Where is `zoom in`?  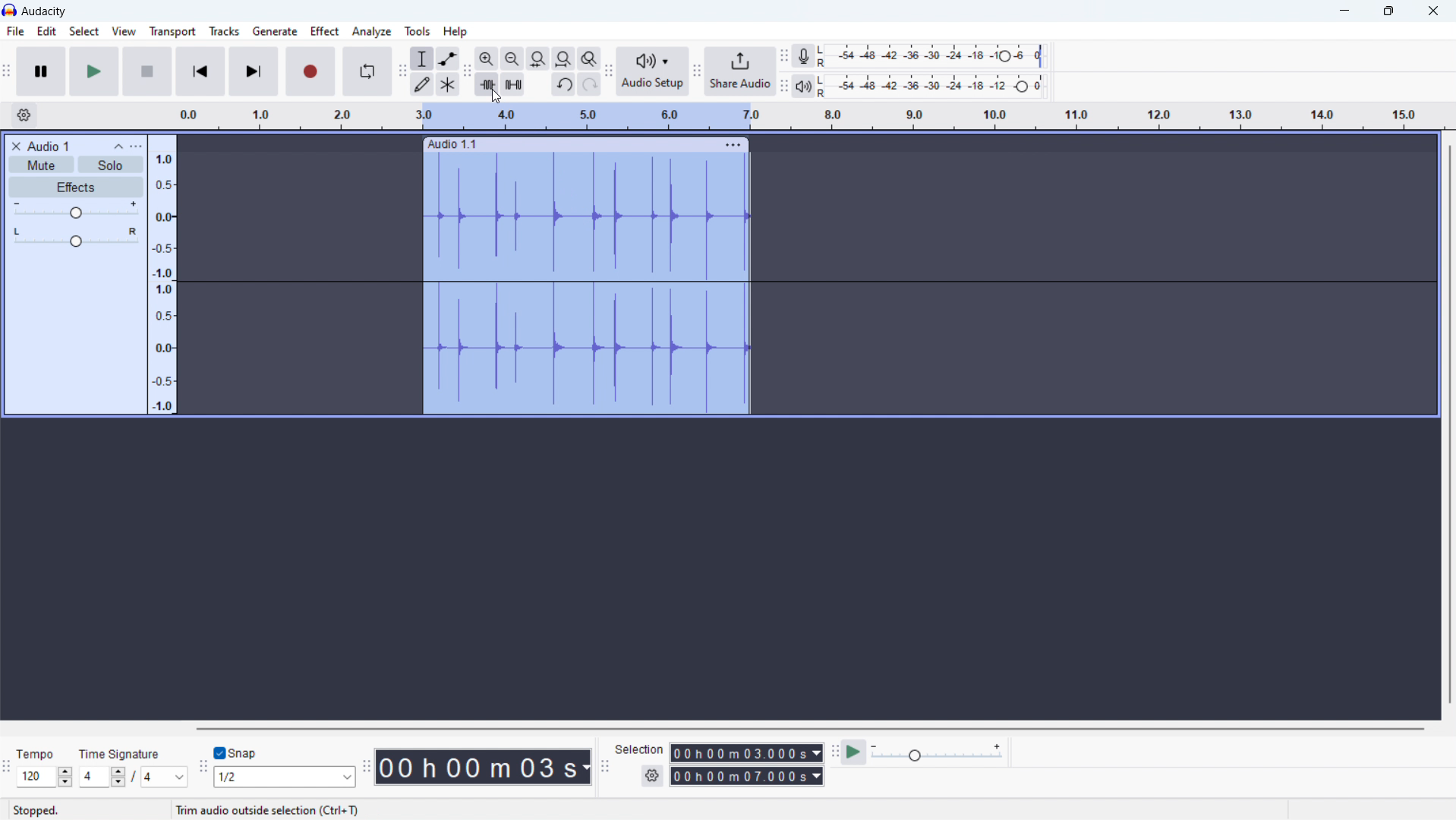 zoom in is located at coordinates (487, 58).